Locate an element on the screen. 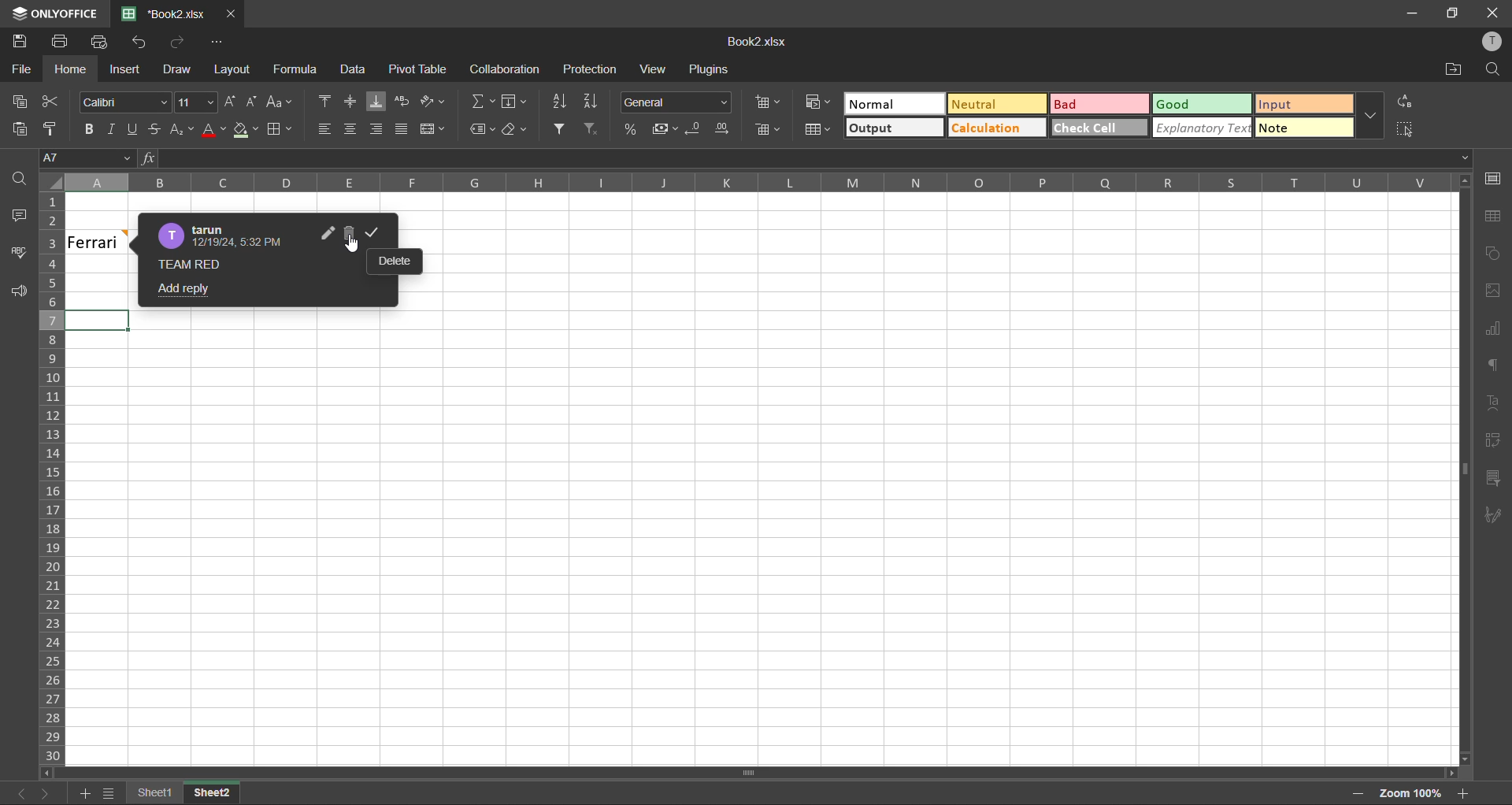 The width and height of the screenshot is (1512, 805). Ferrari is located at coordinates (99, 242).